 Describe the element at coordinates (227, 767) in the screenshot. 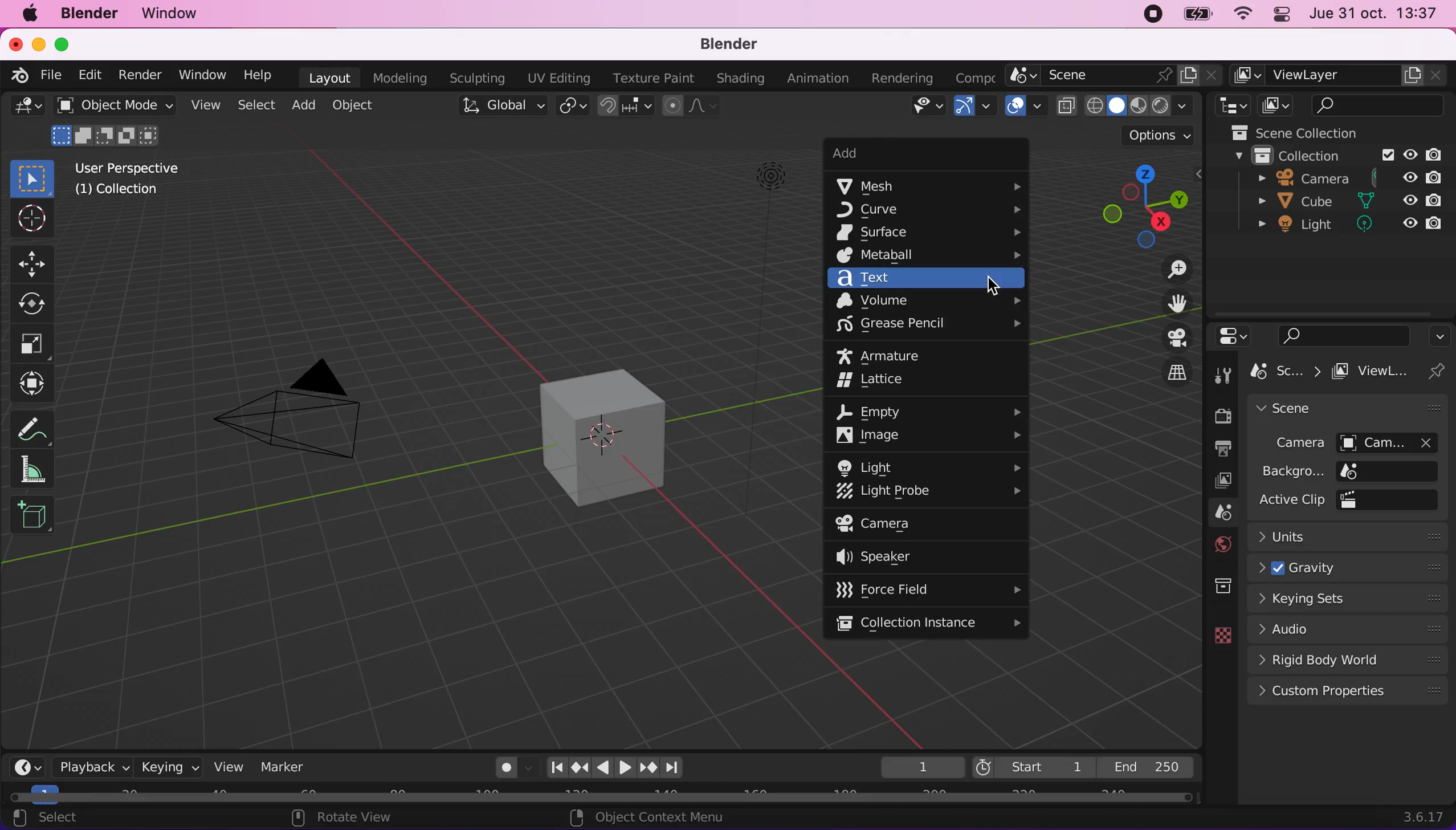

I see `view` at that location.